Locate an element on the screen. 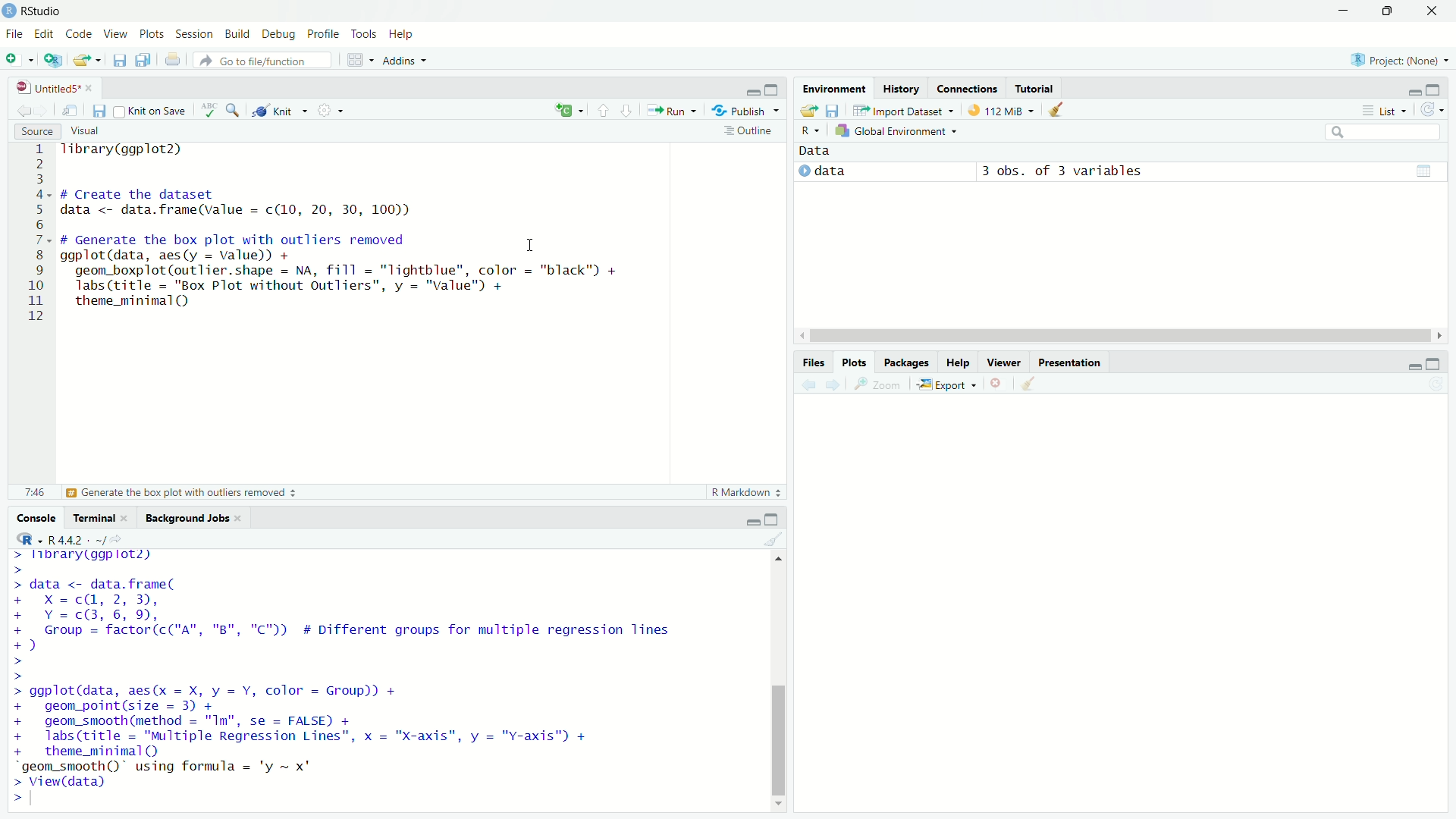 The width and height of the screenshot is (1456, 819). ®r Publish ~ is located at coordinates (748, 111).